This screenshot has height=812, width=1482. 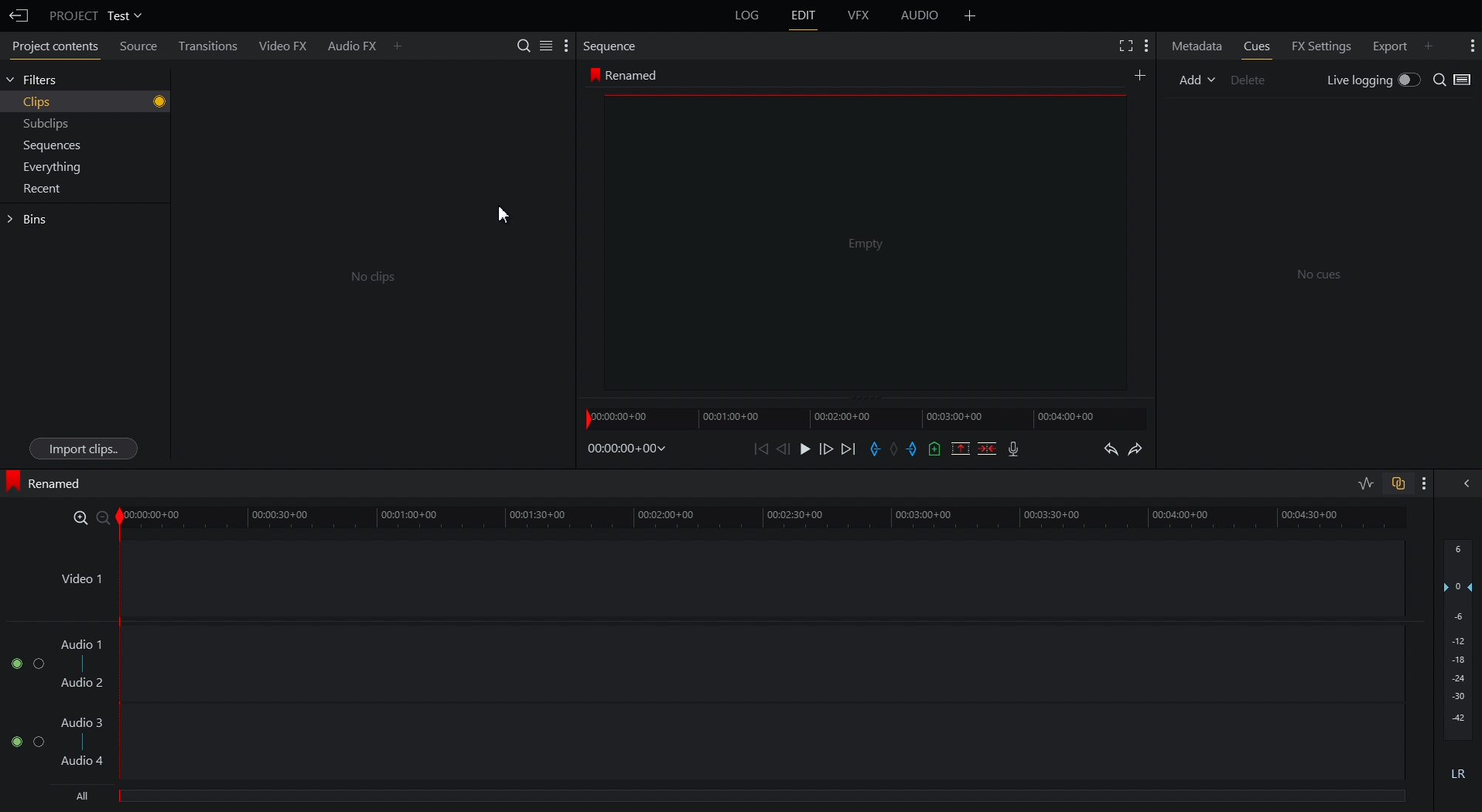 I want to click on Transitions, so click(x=215, y=46).